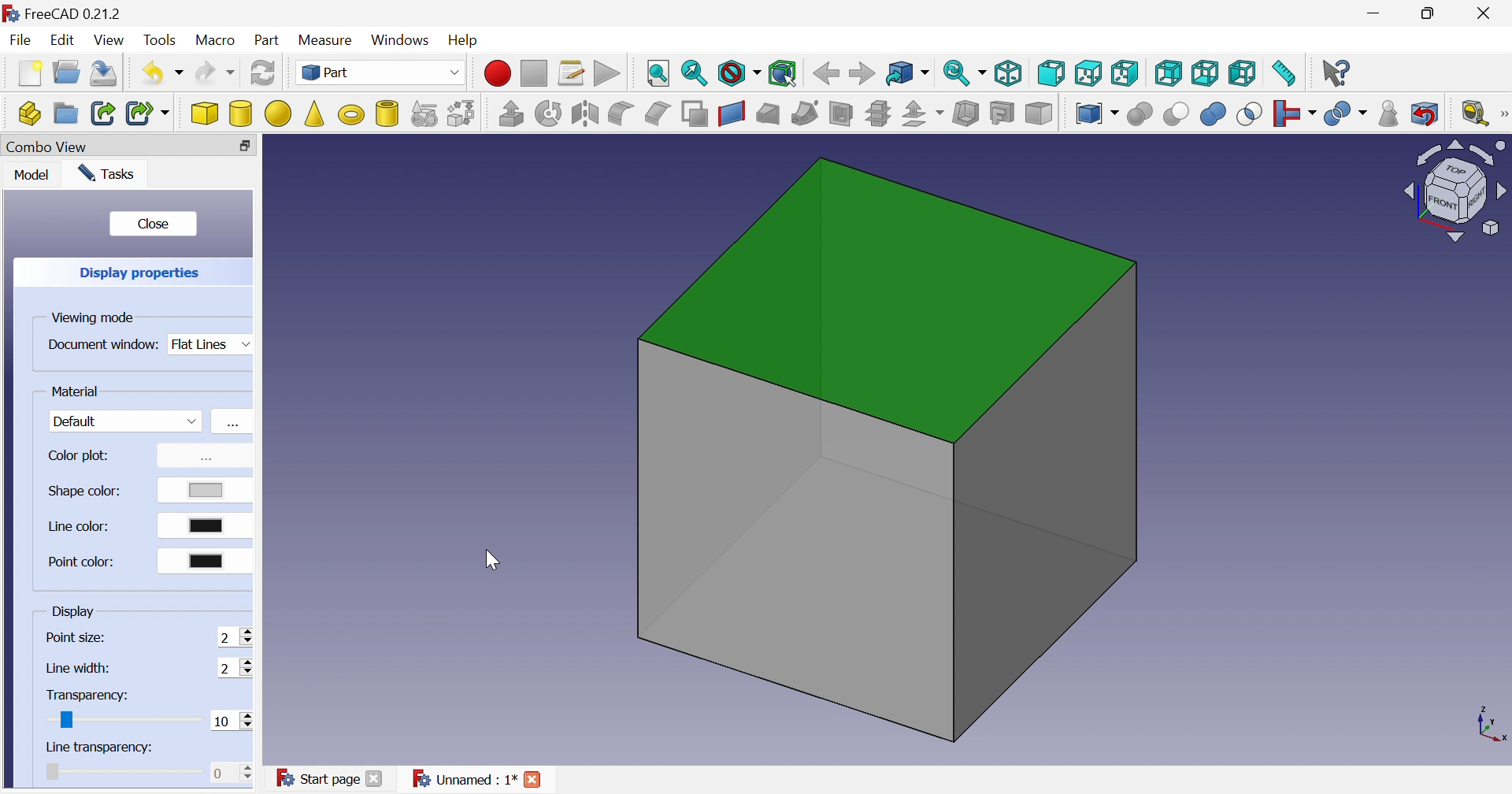 The width and height of the screenshot is (1512, 794). I want to click on Line color, so click(80, 525).